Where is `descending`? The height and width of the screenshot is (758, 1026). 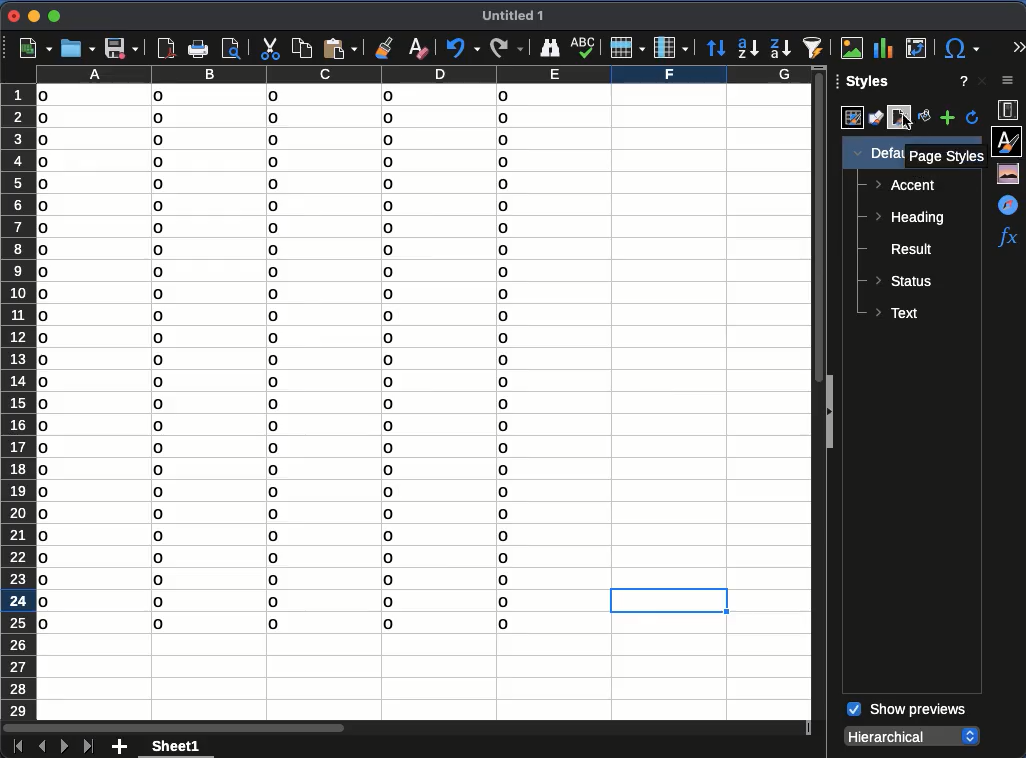
descending is located at coordinates (780, 48).